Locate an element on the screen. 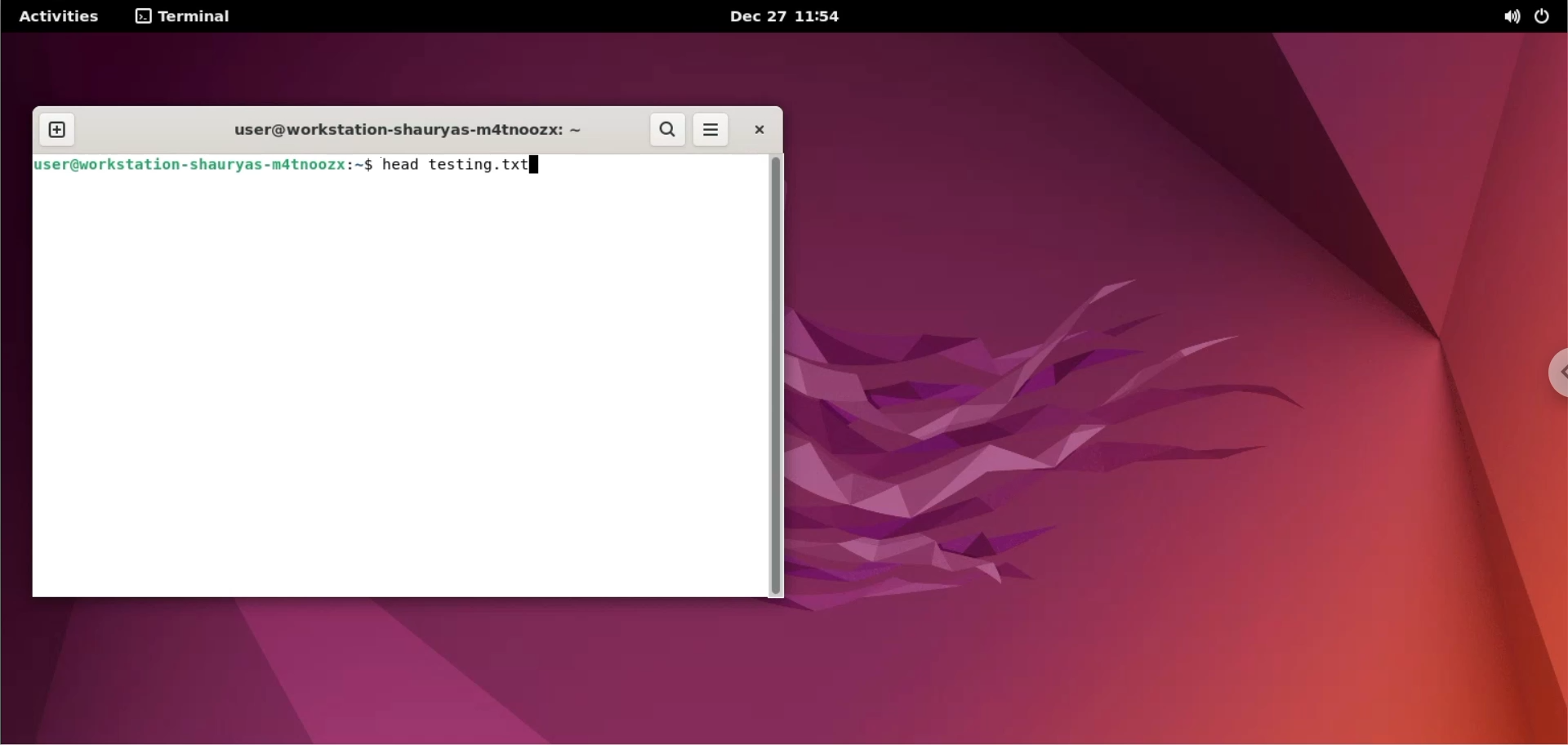  Activities is located at coordinates (58, 17).